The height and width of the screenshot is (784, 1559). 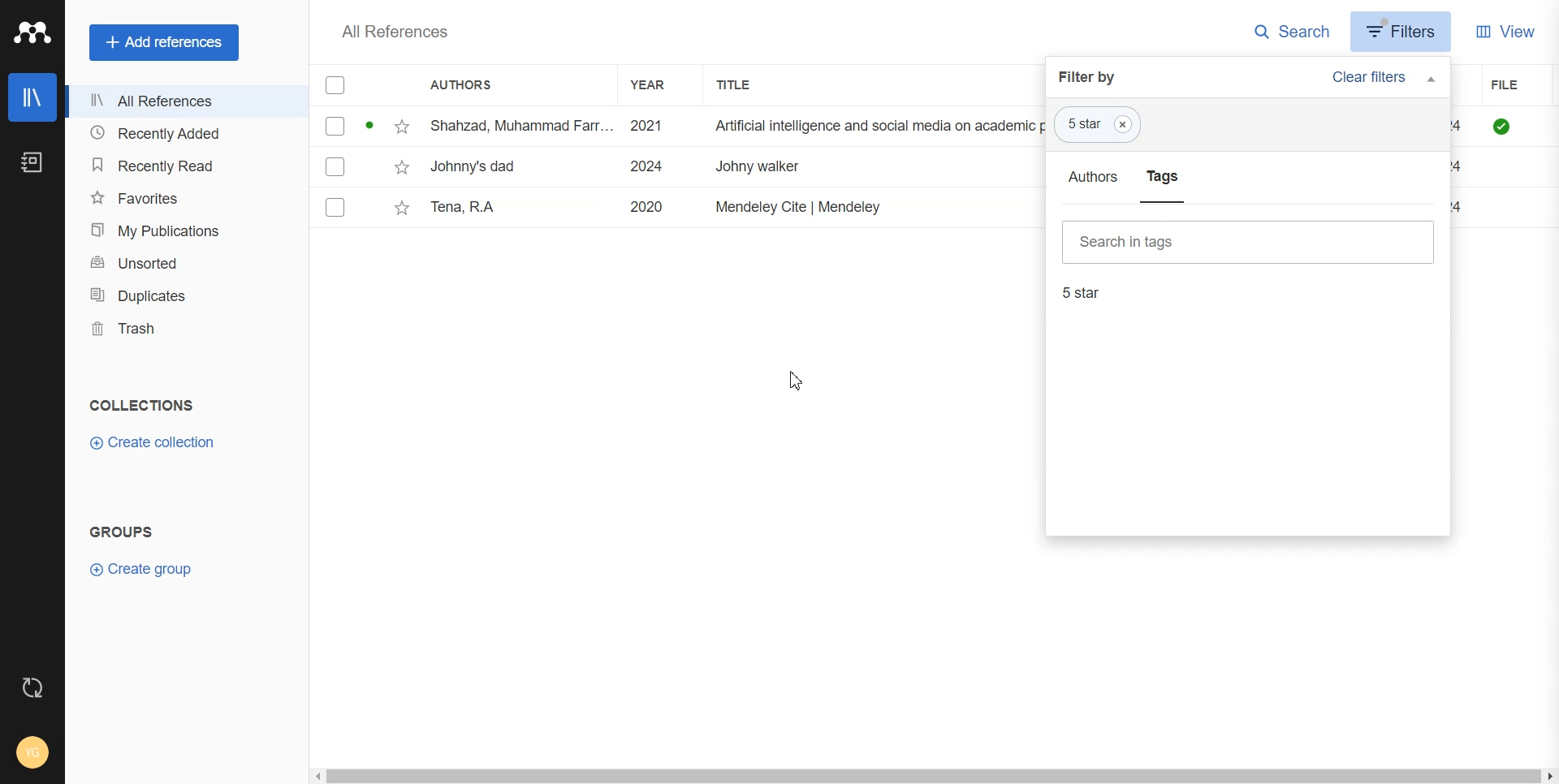 What do you see at coordinates (396, 32) in the screenshot?
I see `All References` at bounding box center [396, 32].